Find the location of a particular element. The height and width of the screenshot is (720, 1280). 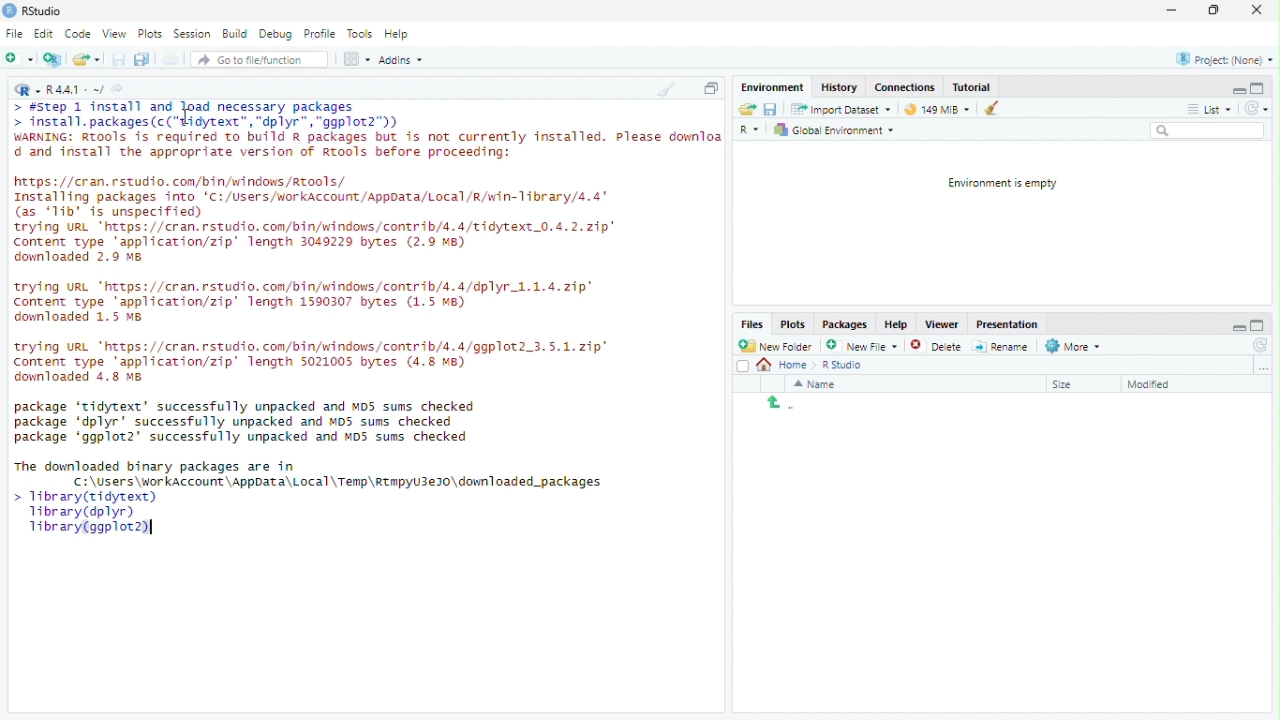

Import Dataset is located at coordinates (844, 110).